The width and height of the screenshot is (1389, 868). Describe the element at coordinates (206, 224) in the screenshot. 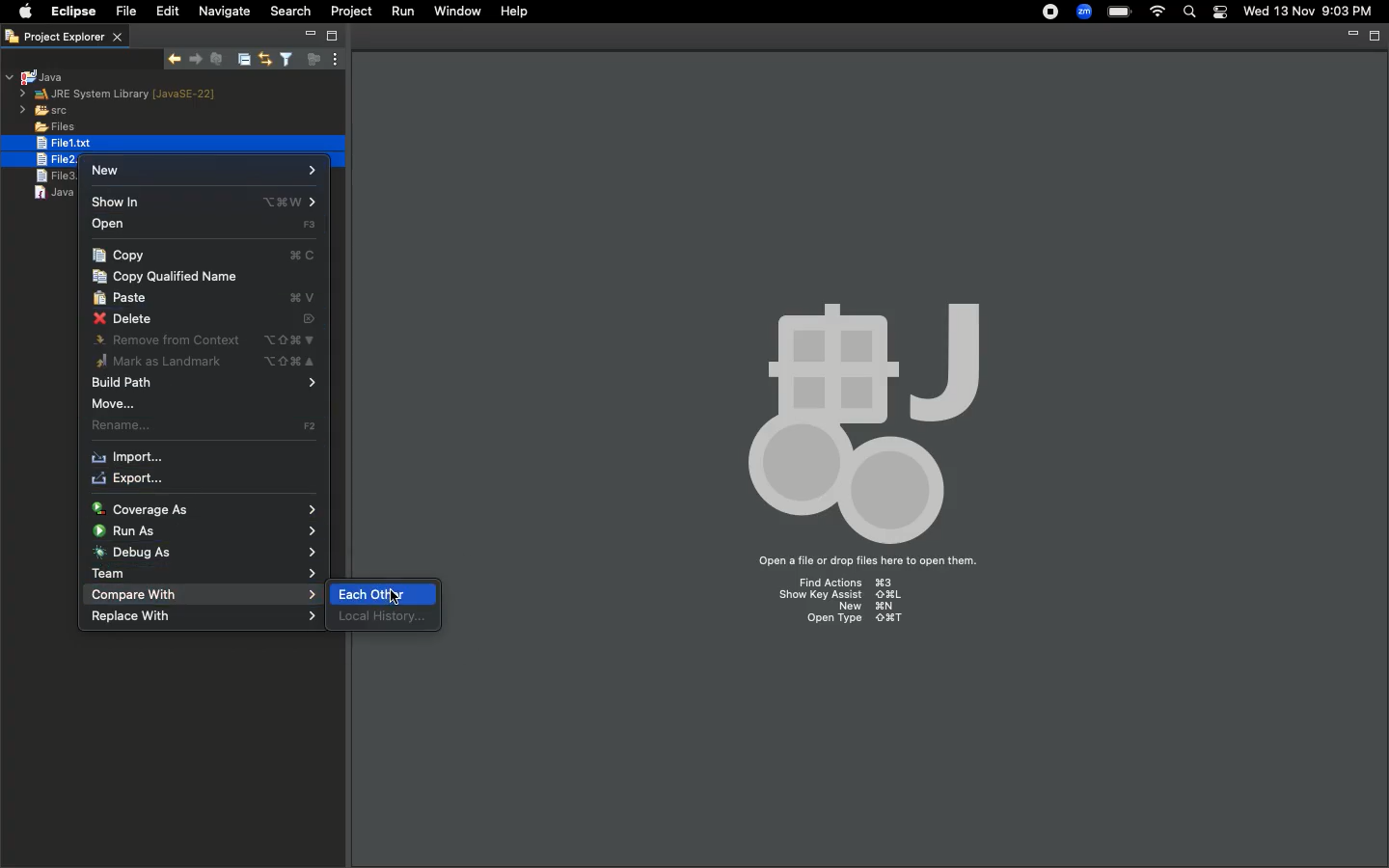

I see `Open` at that location.